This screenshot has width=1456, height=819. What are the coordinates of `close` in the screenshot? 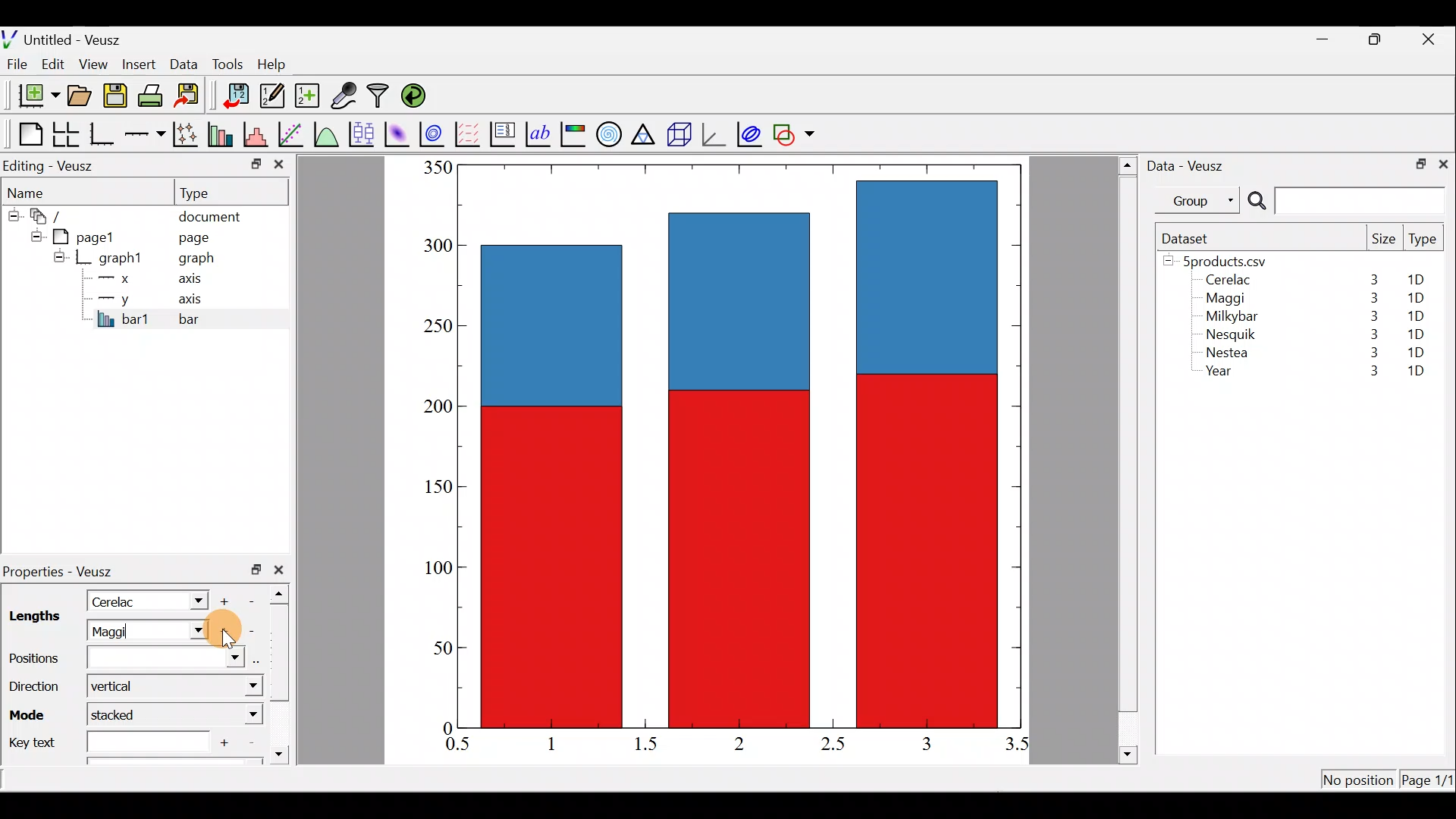 It's located at (1430, 39).